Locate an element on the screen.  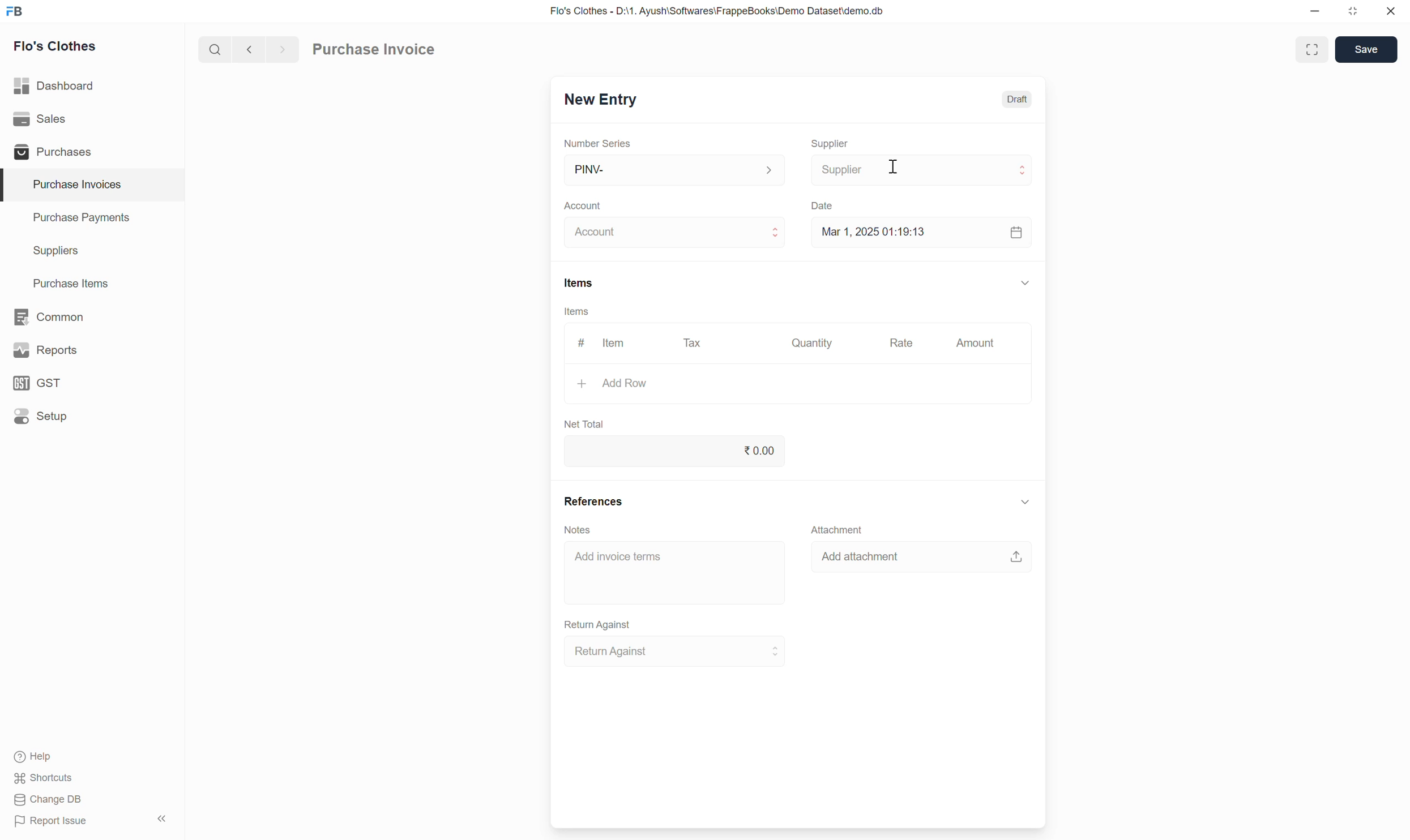
close is located at coordinates (1391, 13).